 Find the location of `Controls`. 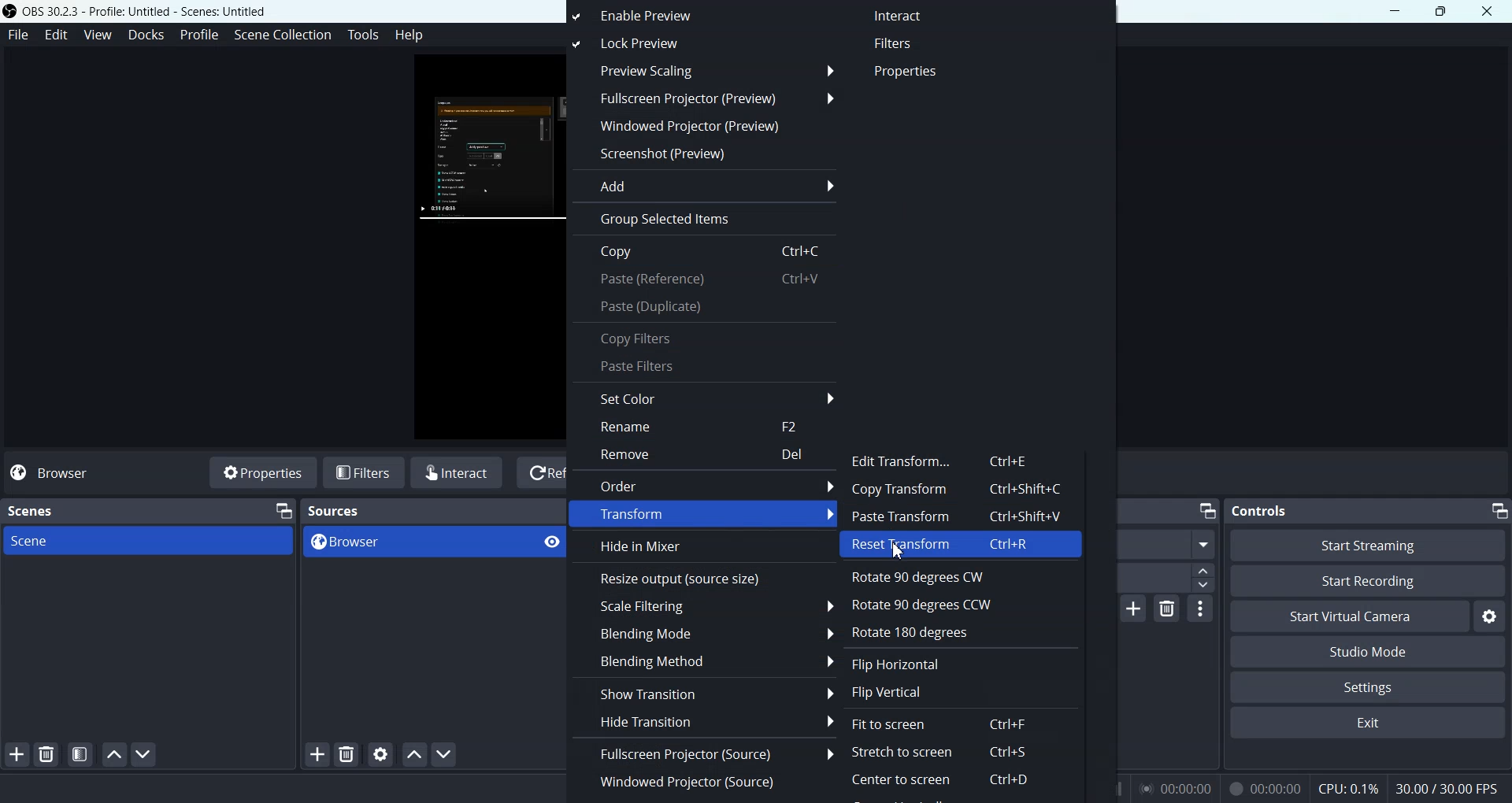

Controls is located at coordinates (1258, 510).